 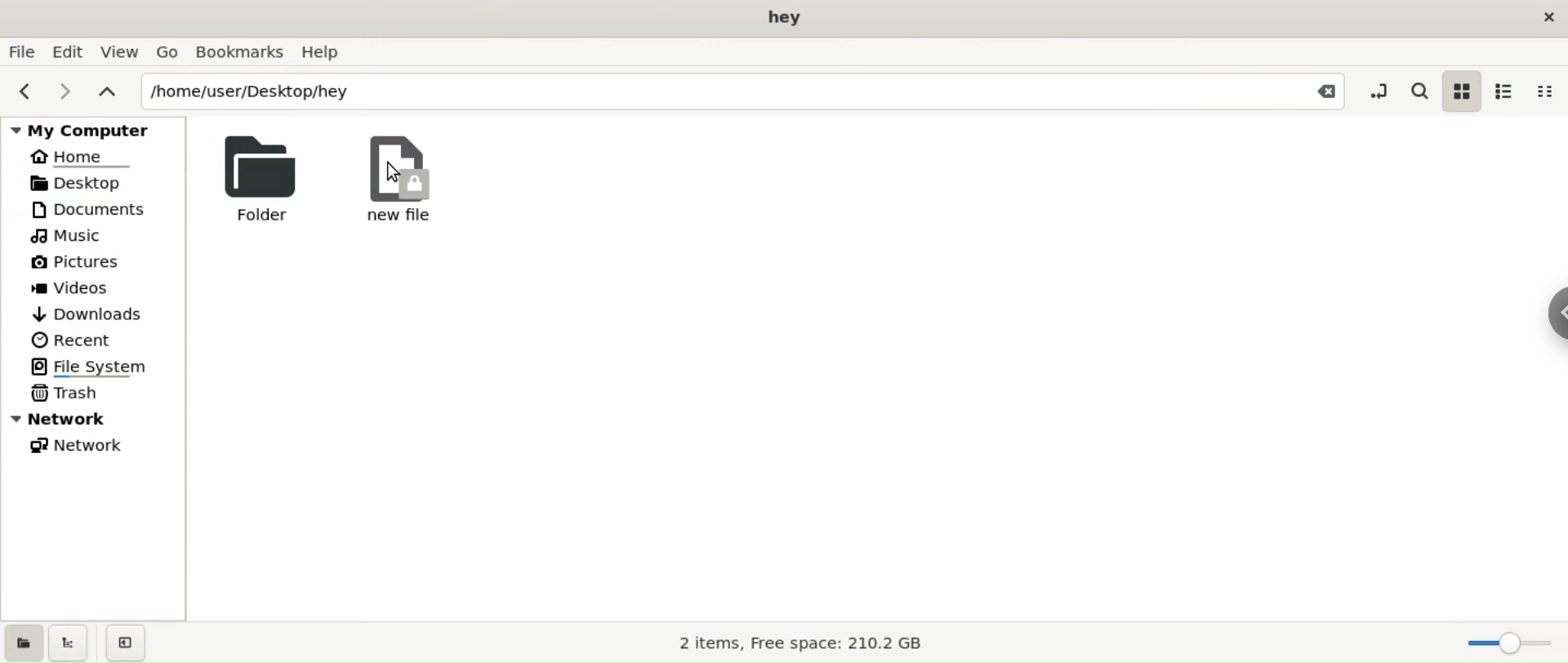 What do you see at coordinates (77, 263) in the screenshot?
I see `Pictures` at bounding box center [77, 263].